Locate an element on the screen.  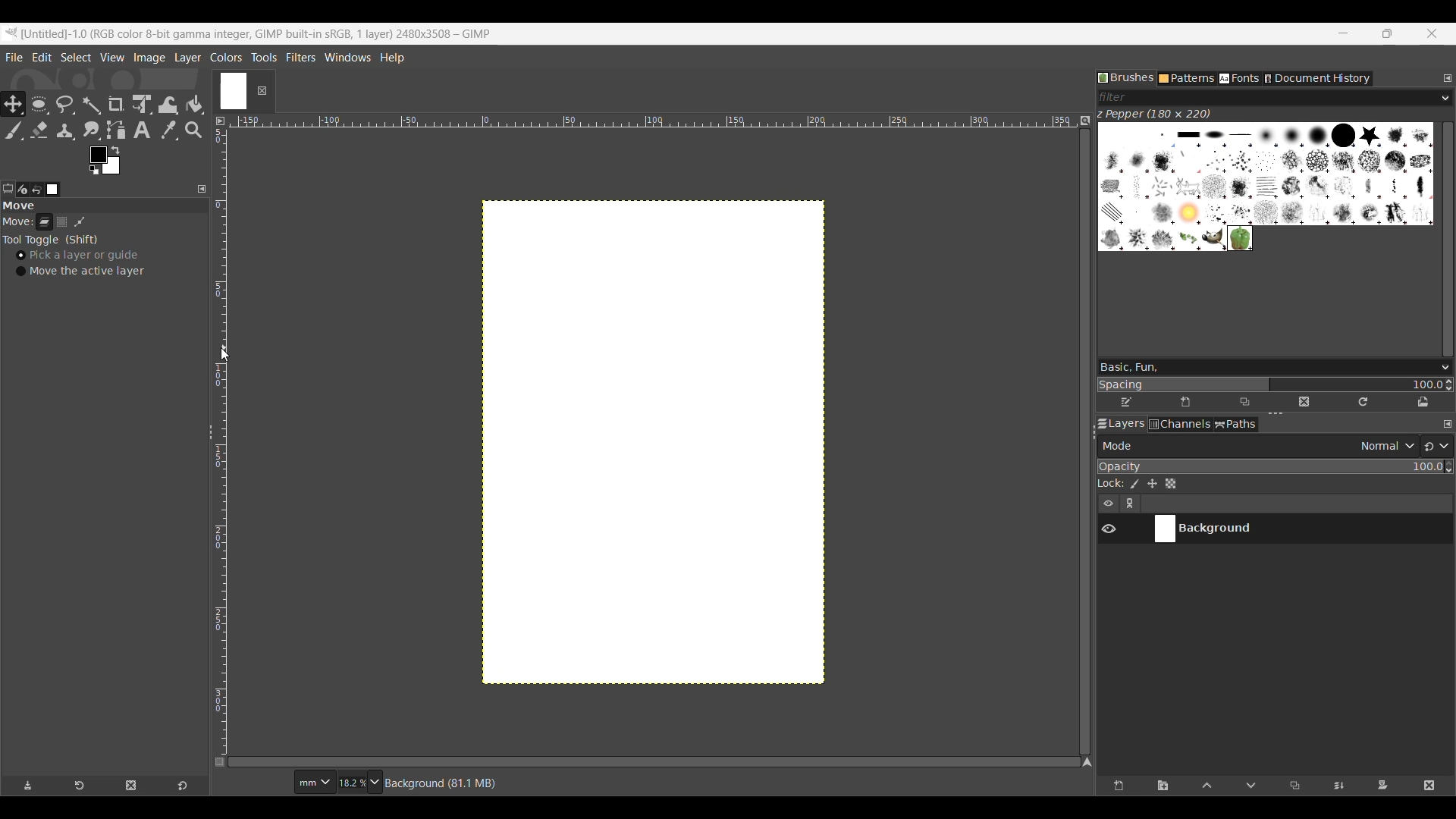
Show interface in a smaller tab is located at coordinates (1387, 33).